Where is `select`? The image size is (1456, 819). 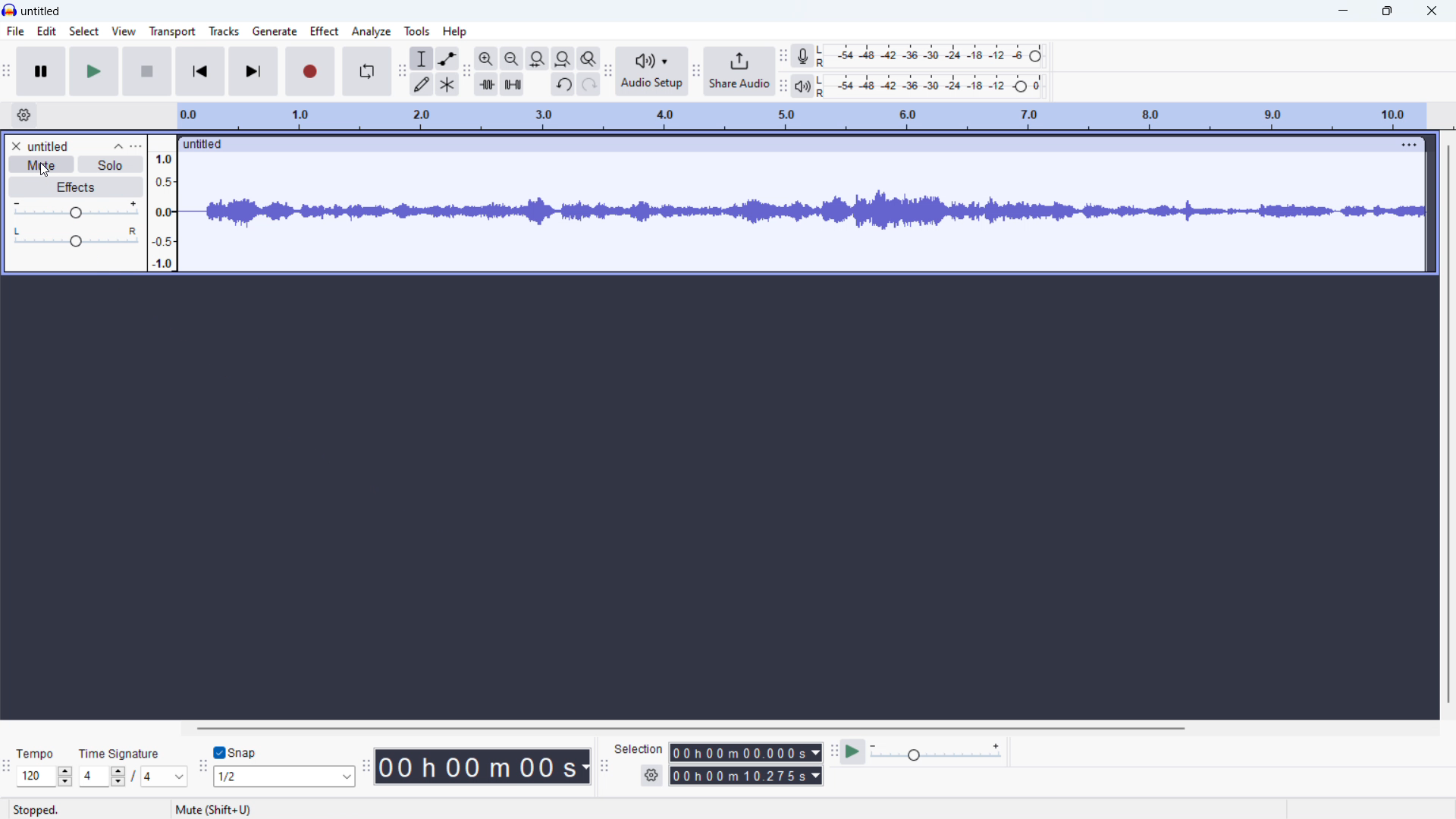 select is located at coordinates (85, 30).